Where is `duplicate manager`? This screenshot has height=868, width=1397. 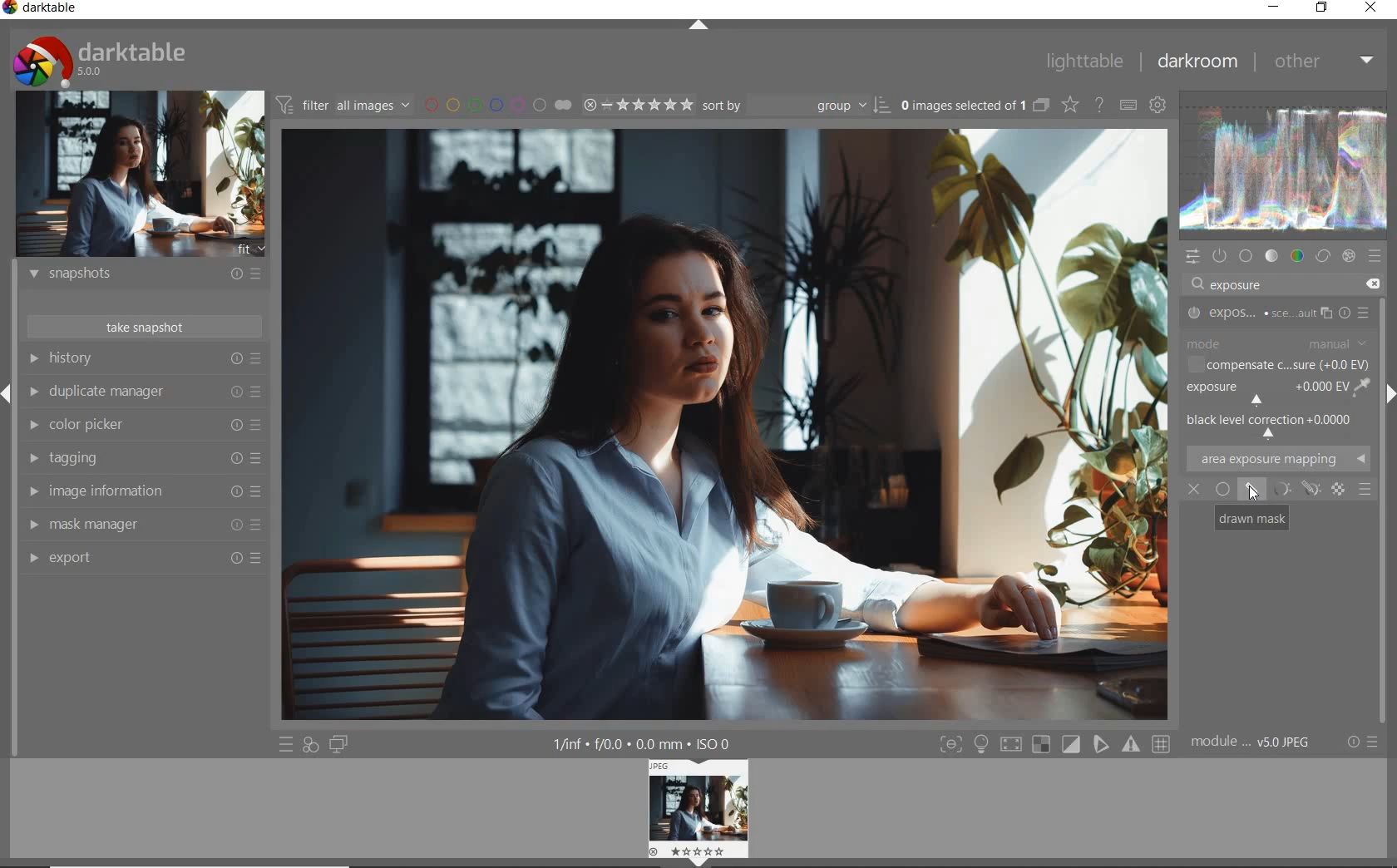
duplicate manager is located at coordinates (146, 392).